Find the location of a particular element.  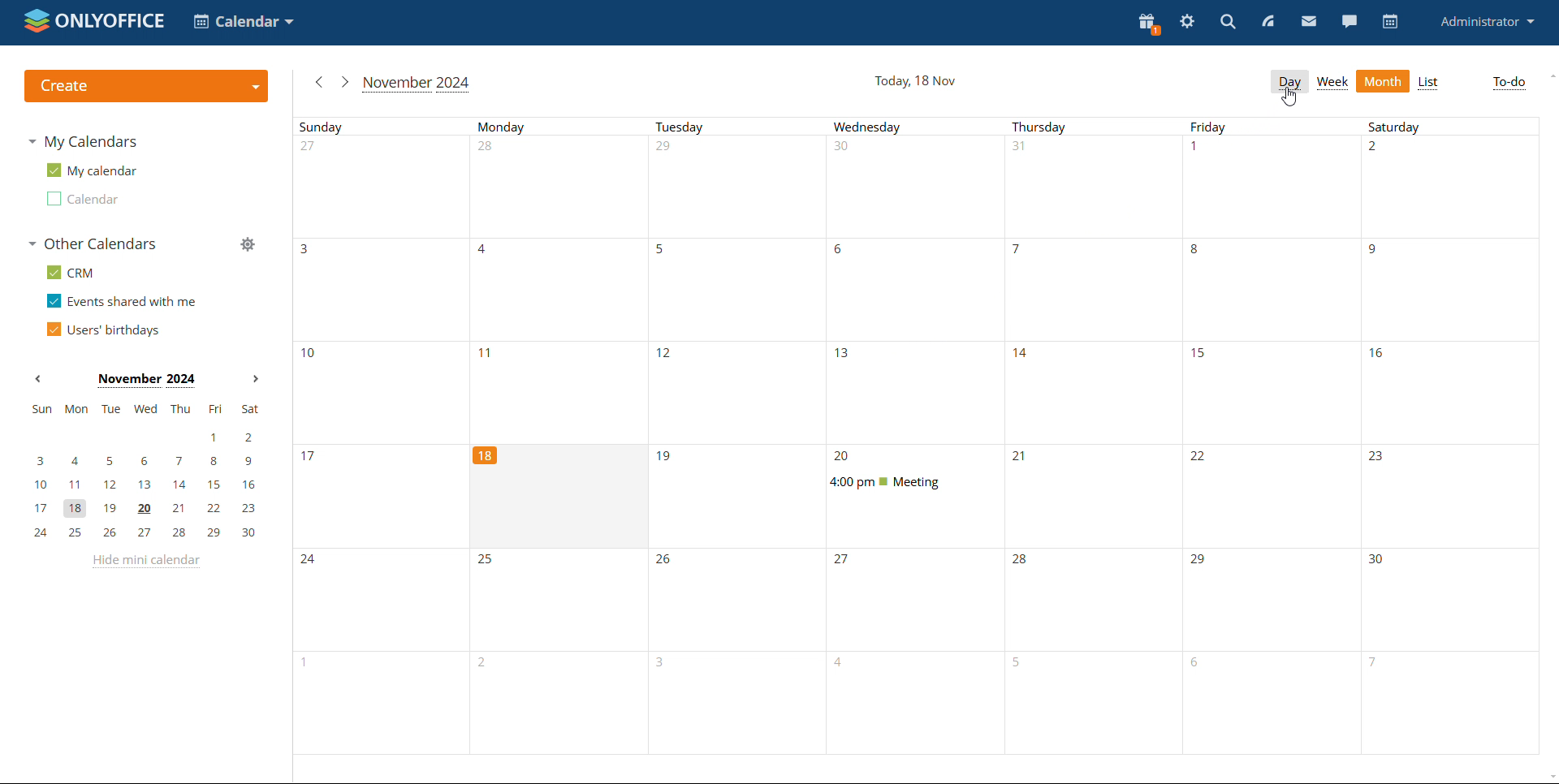

next month is located at coordinates (344, 82).